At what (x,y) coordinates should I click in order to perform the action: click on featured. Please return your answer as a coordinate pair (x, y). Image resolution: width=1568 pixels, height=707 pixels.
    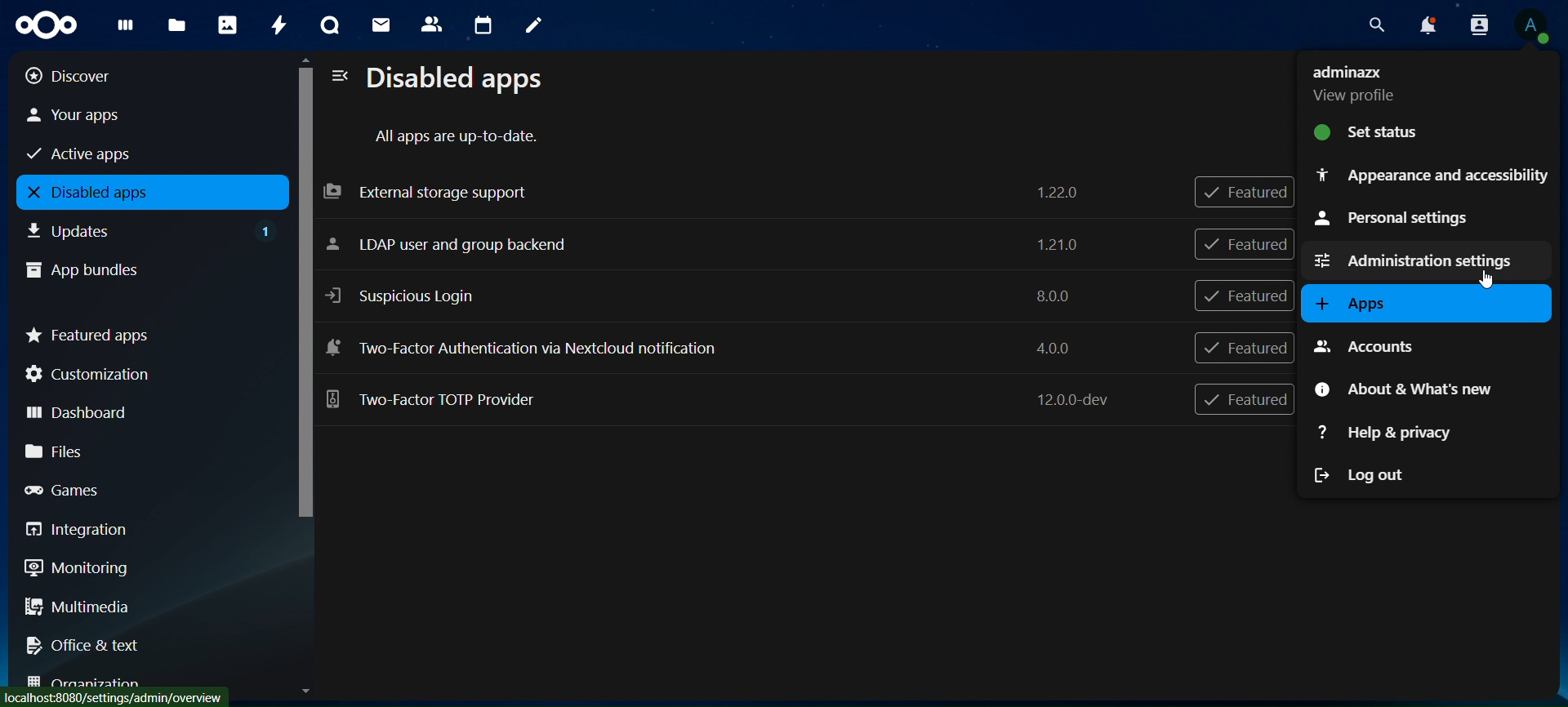
    Looking at the image, I should click on (1244, 401).